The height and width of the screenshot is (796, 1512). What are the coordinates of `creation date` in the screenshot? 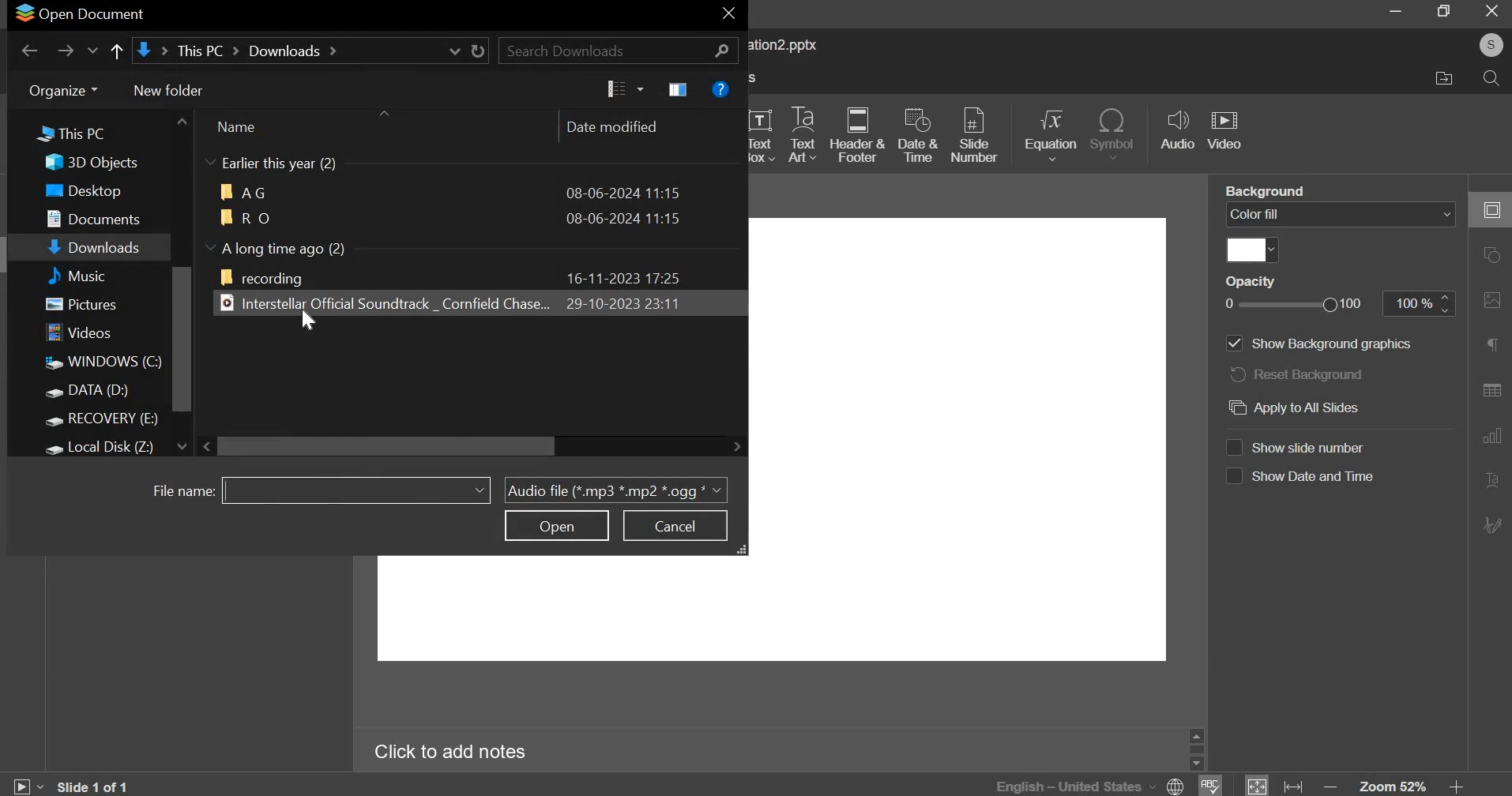 It's located at (622, 277).